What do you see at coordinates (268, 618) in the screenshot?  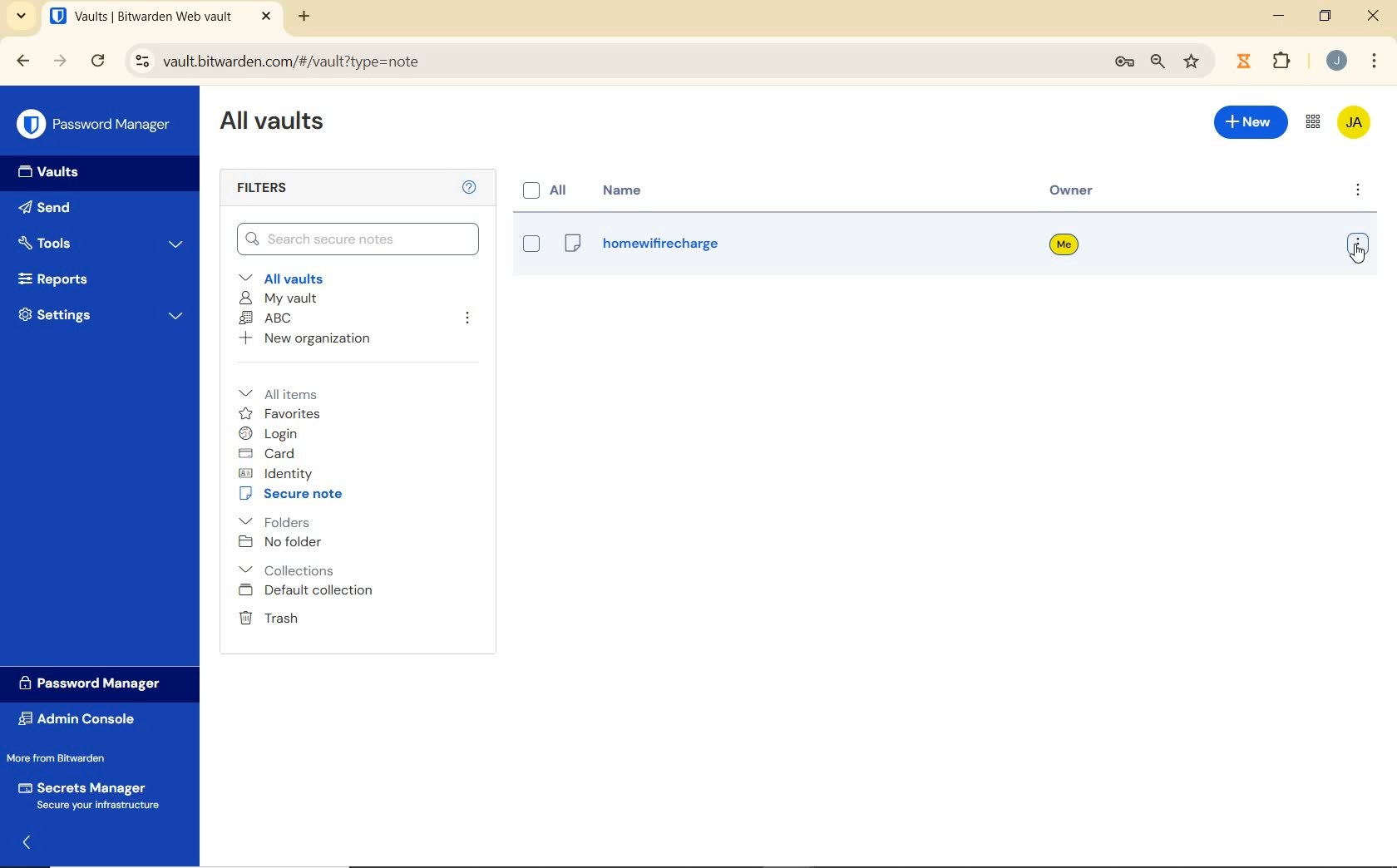 I see `Trash` at bounding box center [268, 618].